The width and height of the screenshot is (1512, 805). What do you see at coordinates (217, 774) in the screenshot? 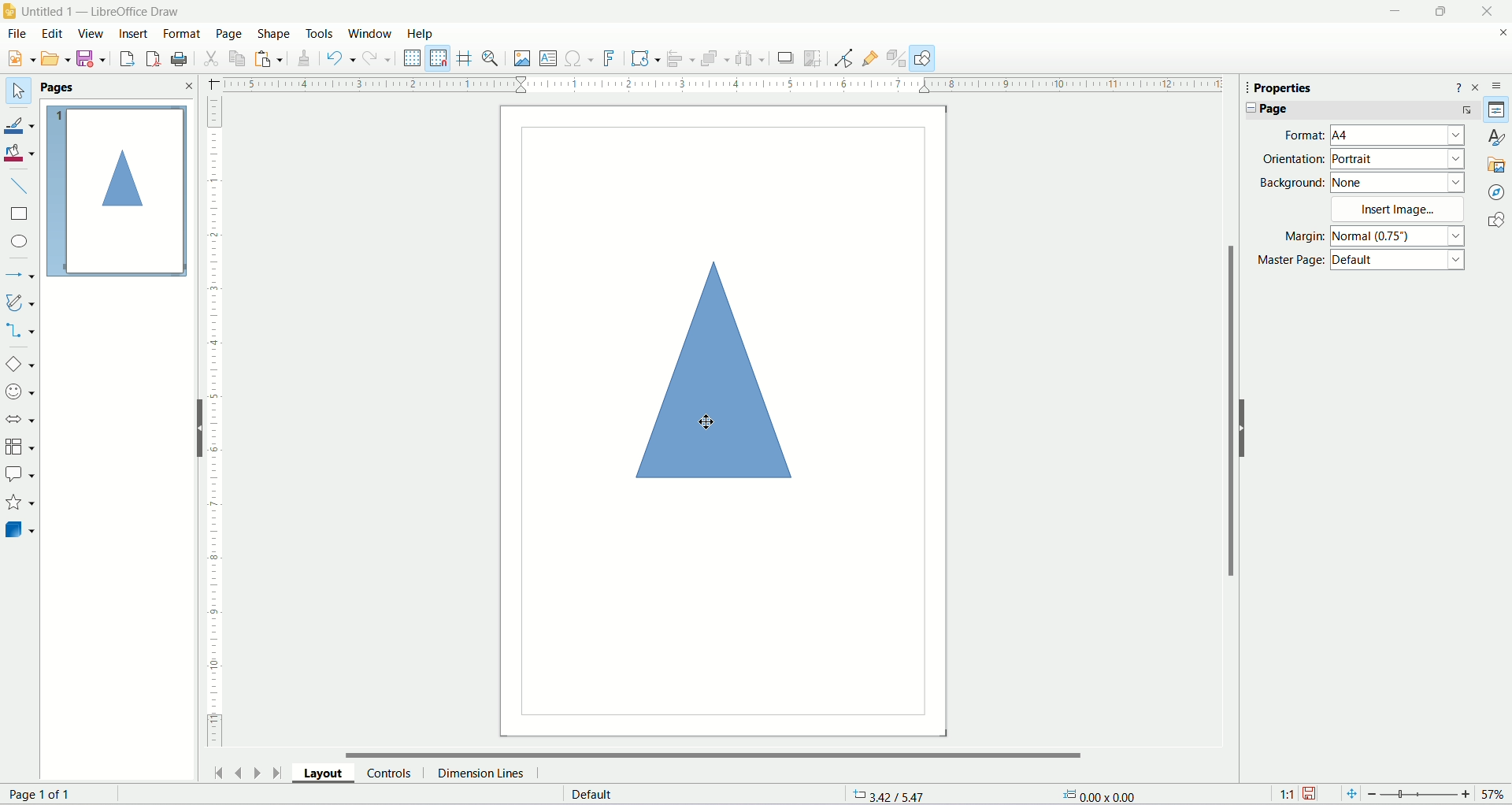
I see `Move to first page` at bounding box center [217, 774].